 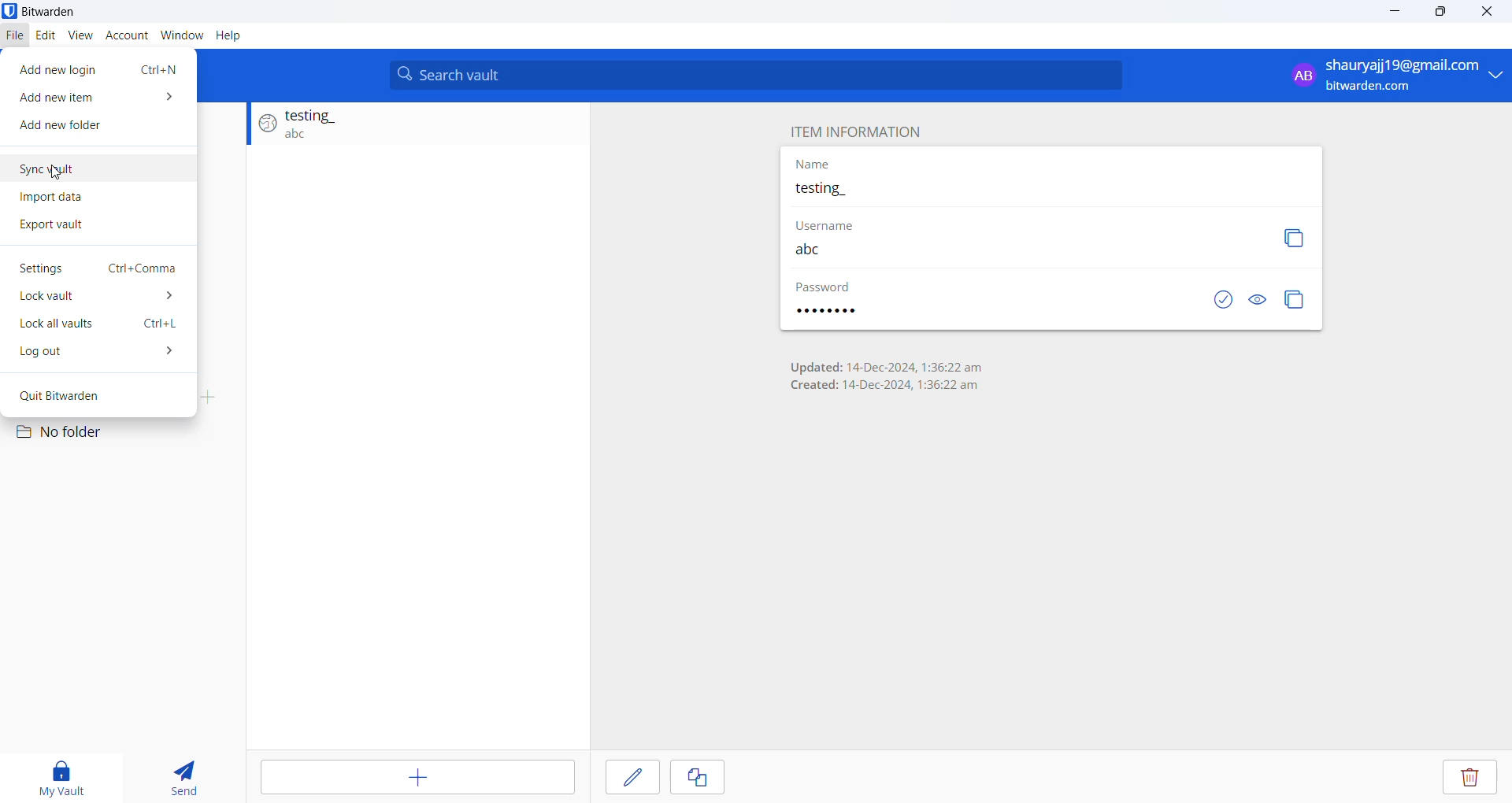 What do you see at coordinates (69, 12) in the screenshot?
I see `Application name ` at bounding box center [69, 12].